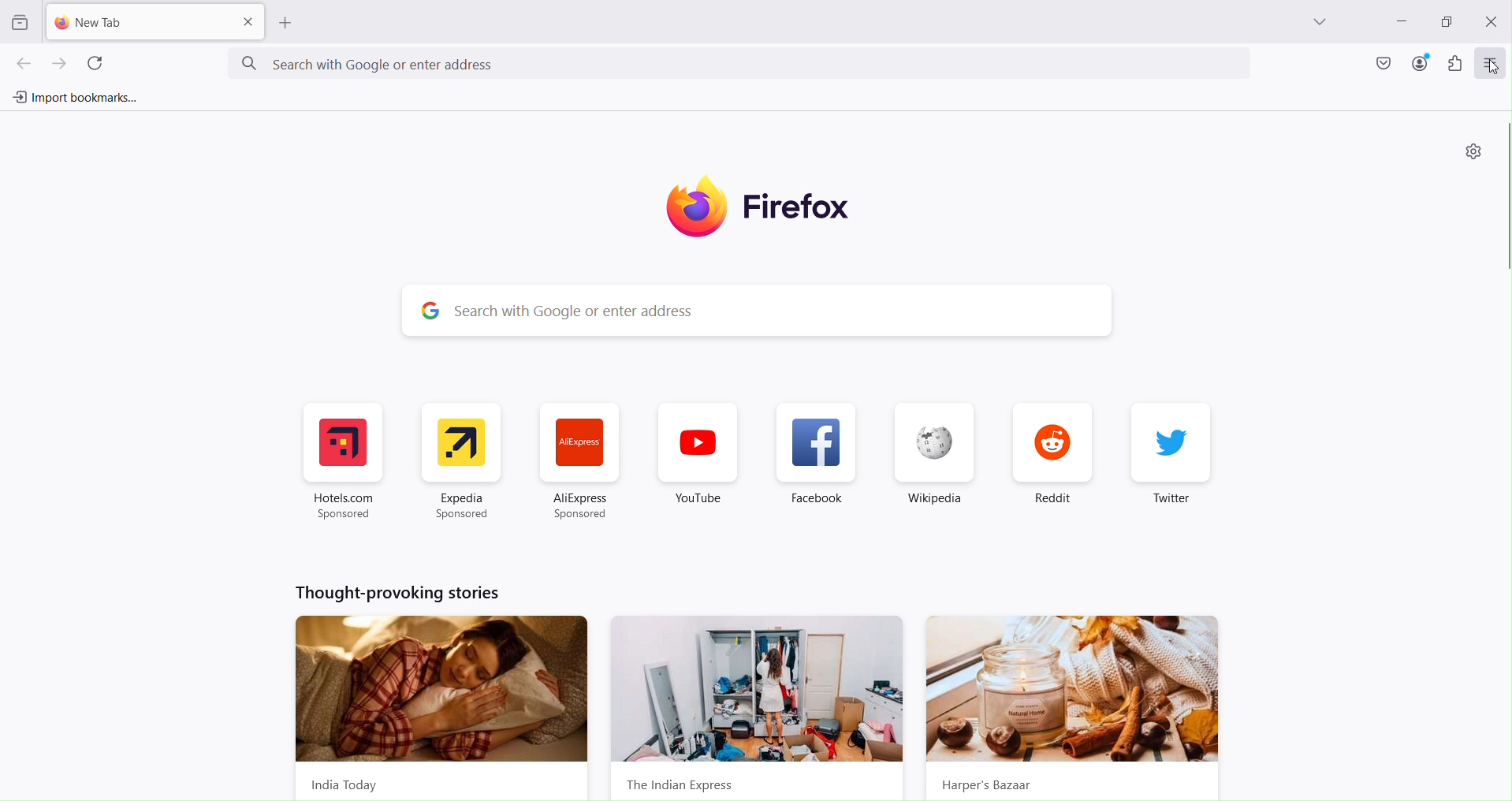 The height and width of the screenshot is (801, 1512). What do you see at coordinates (760, 709) in the screenshot?
I see `the Indian express` at bounding box center [760, 709].